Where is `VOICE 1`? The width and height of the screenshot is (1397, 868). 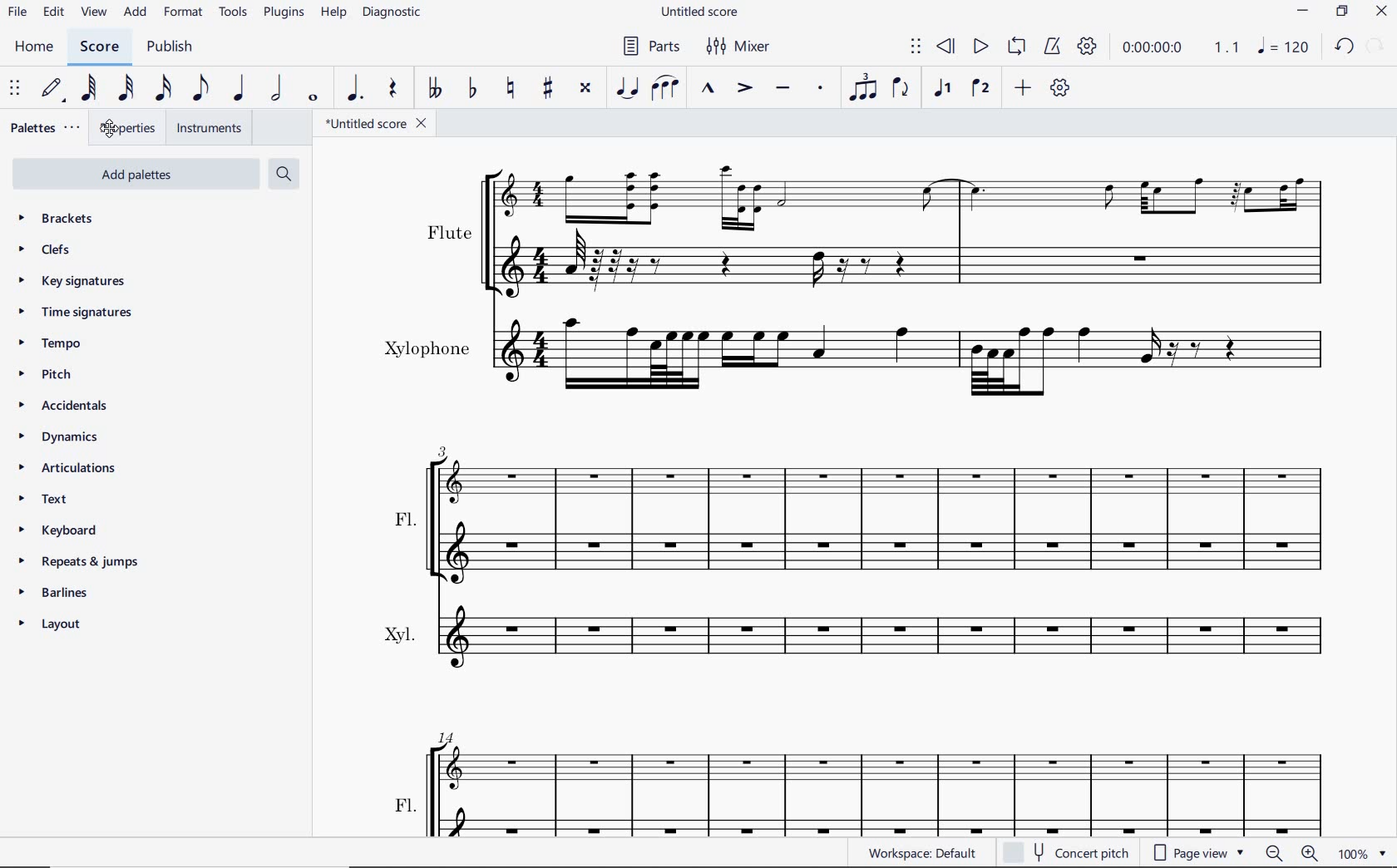 VOICE 1 is located at coordinates (943, 88).